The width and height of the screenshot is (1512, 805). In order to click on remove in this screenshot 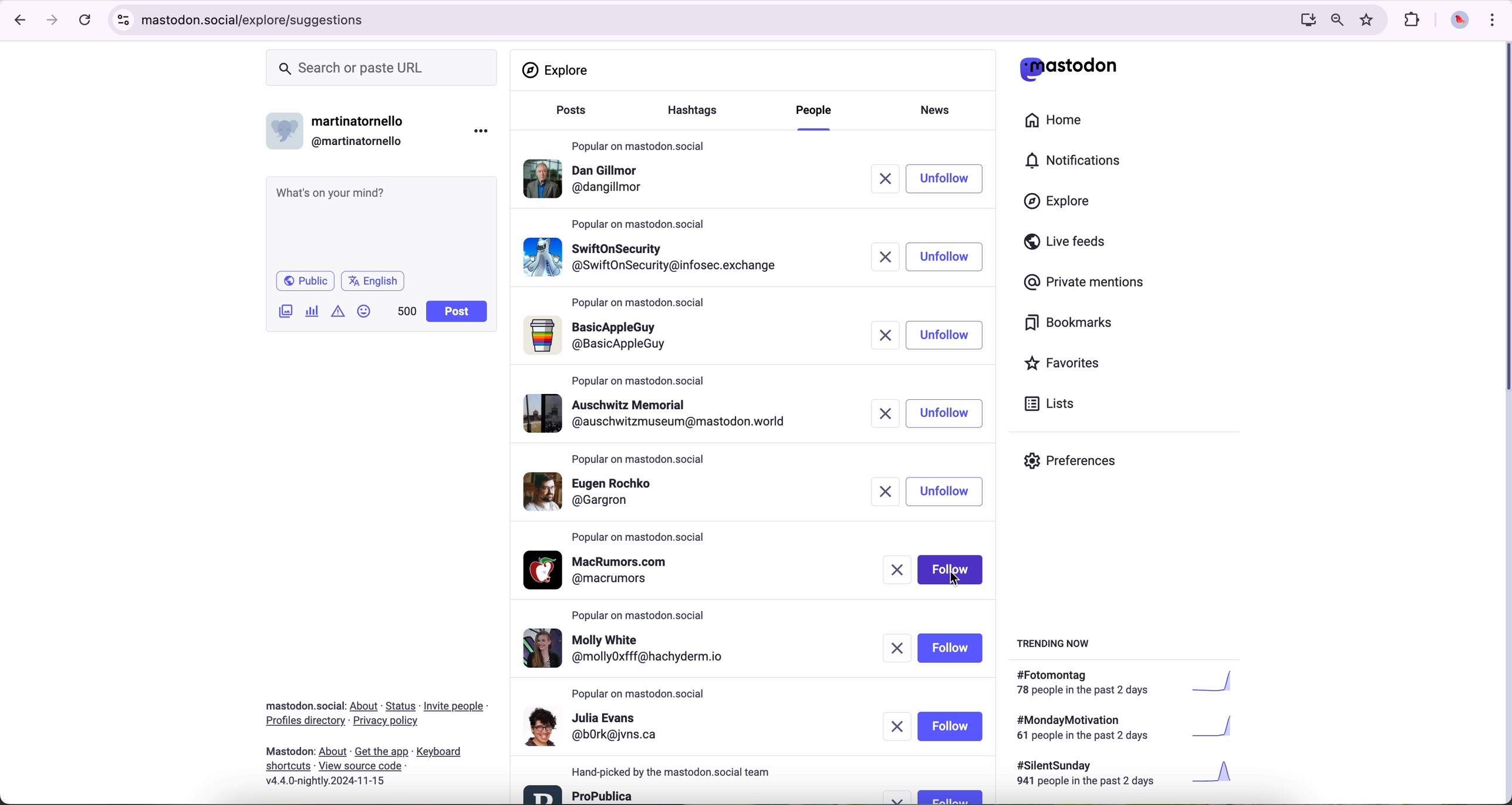, I will do `click(897, 649)`.